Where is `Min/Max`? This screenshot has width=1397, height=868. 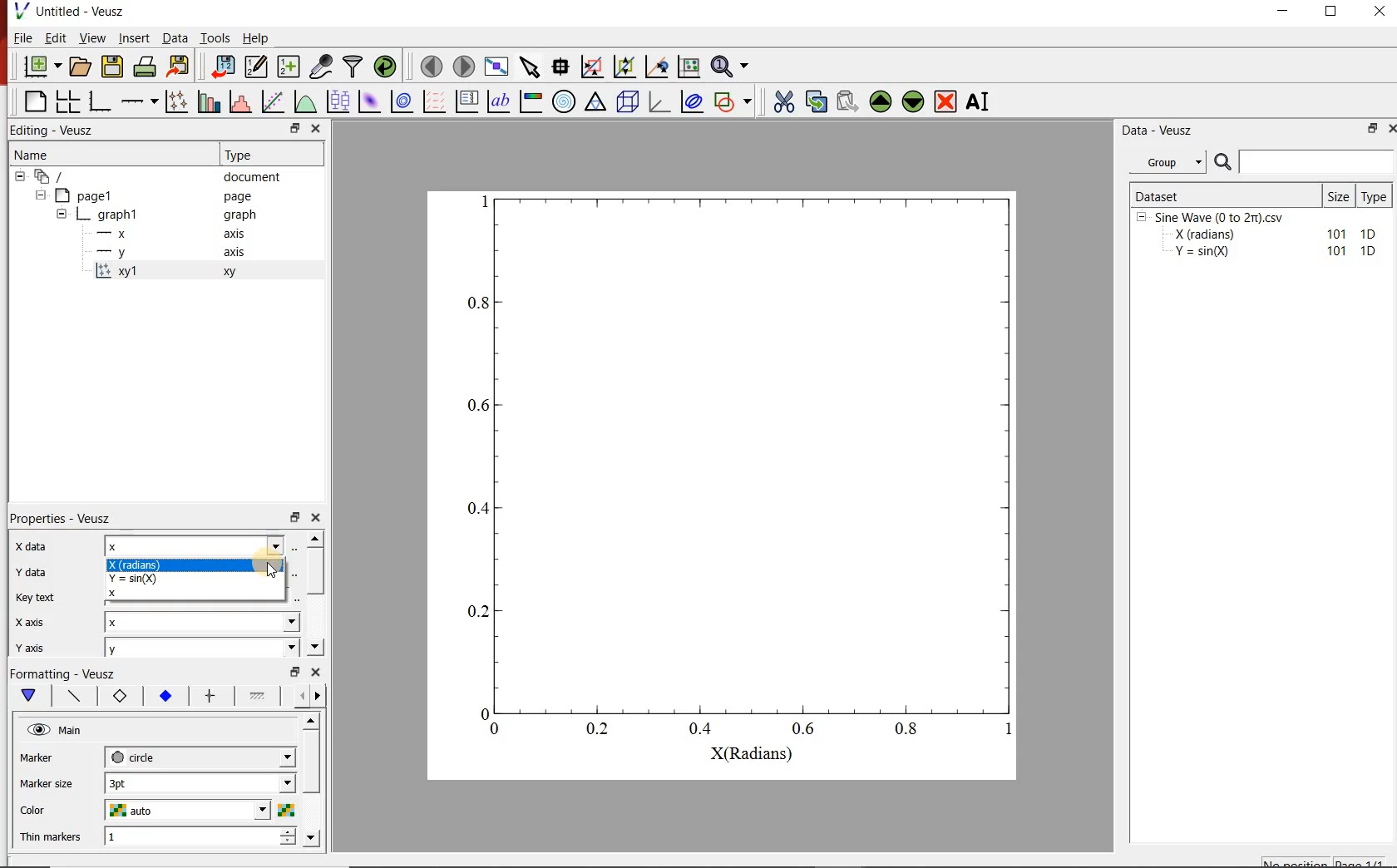
Min/Max is located at coordinates (293, 129).